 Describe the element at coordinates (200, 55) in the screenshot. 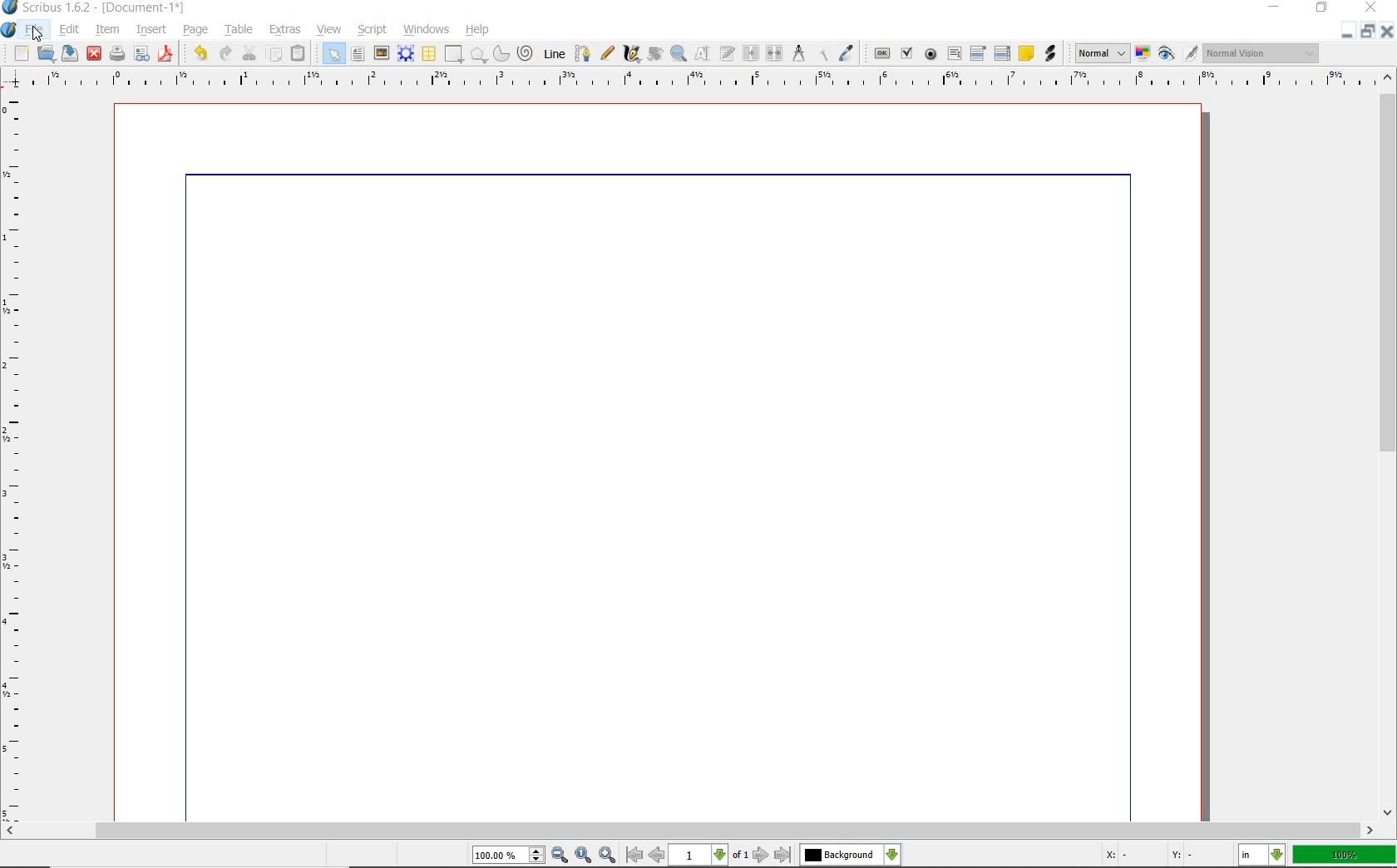

I see `undo` at that location.